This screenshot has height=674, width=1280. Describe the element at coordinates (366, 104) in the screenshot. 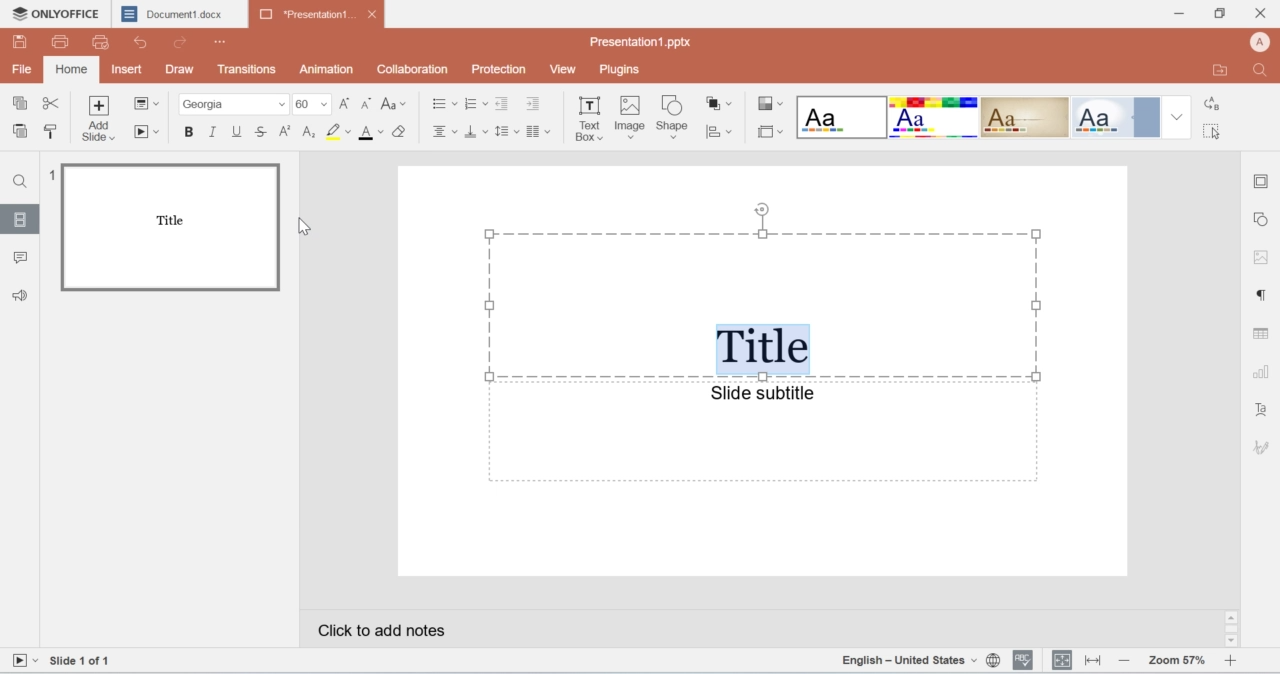

I see `decrease font size` at that location.